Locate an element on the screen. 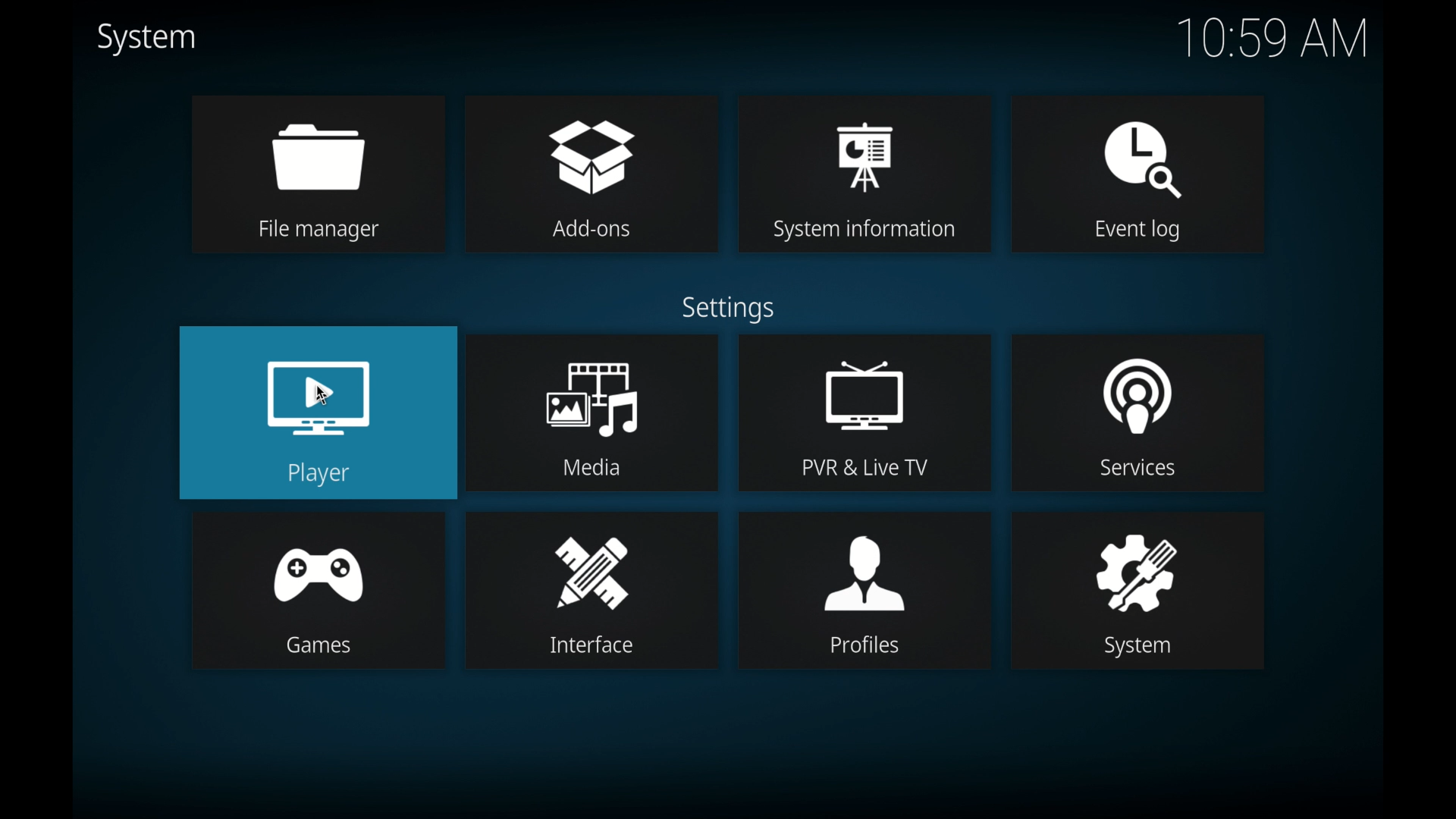 Image resolution: width=1456 pixels, height=819 pixels. pvr & live tv is located at coordinates (864, 412).